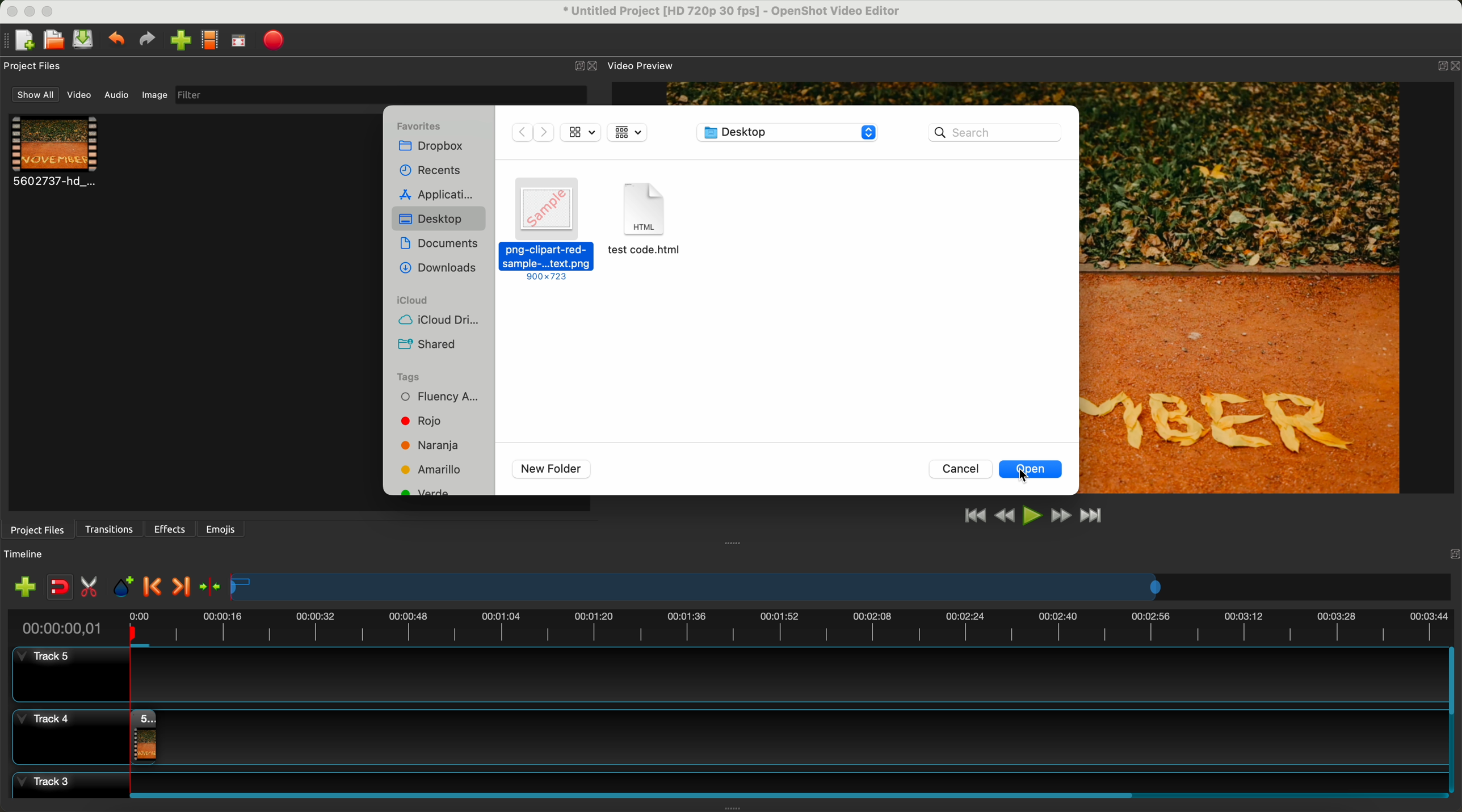  What do you see at coordinates (730, 626) in the screenshot?
I see `timeline` at bounding box center [730, 626].